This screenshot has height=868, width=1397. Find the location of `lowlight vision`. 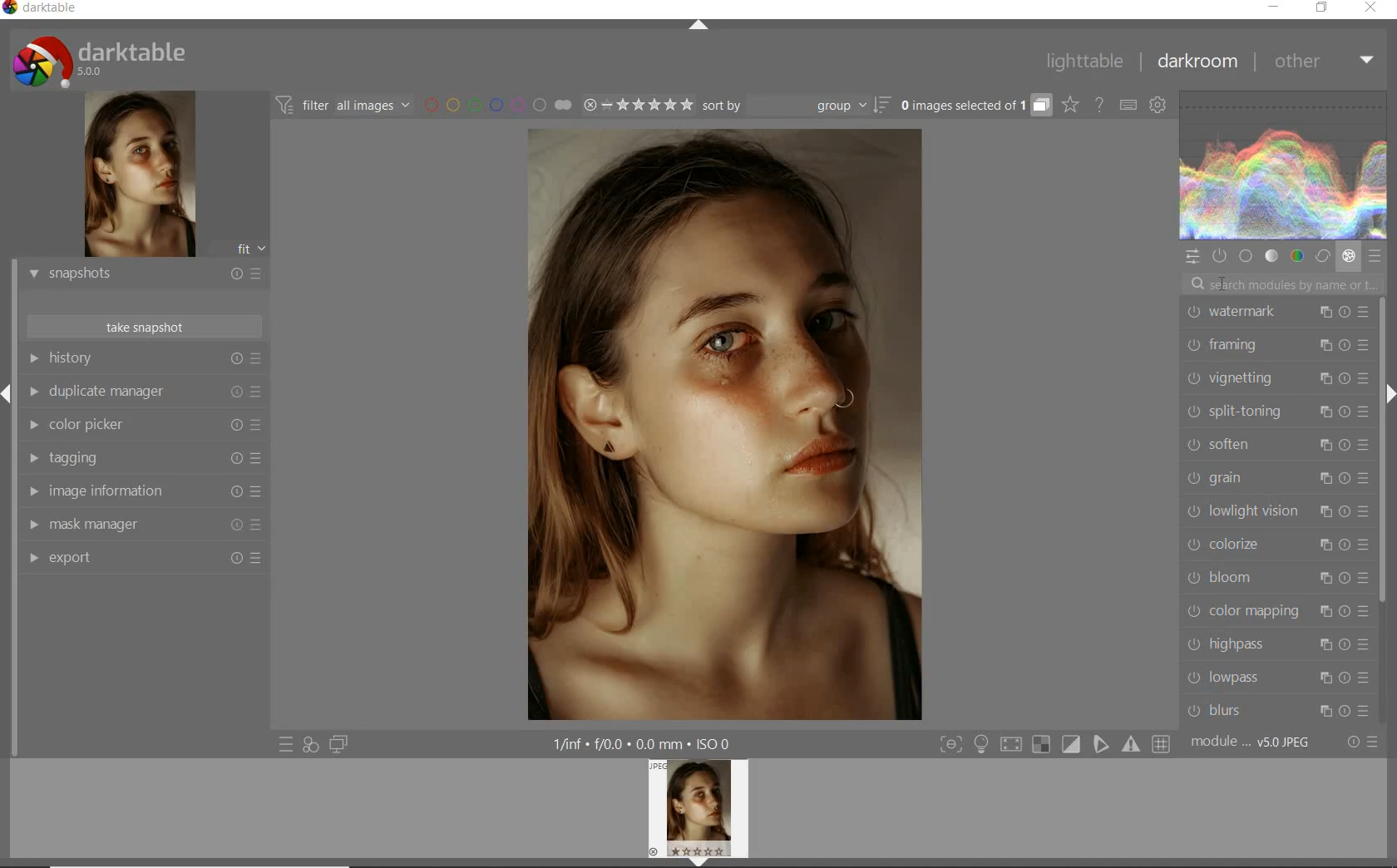

lowlight vision is located at coordinates (1275, 510).